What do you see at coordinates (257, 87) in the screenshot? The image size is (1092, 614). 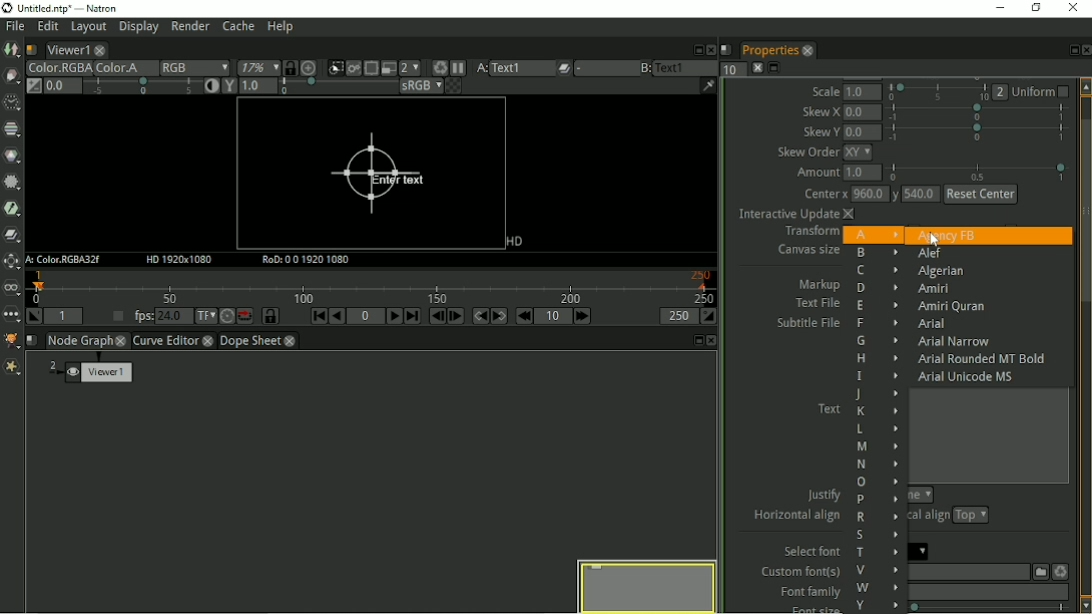 I see `Viewer gamma correction` at bounding box center [257, 87].